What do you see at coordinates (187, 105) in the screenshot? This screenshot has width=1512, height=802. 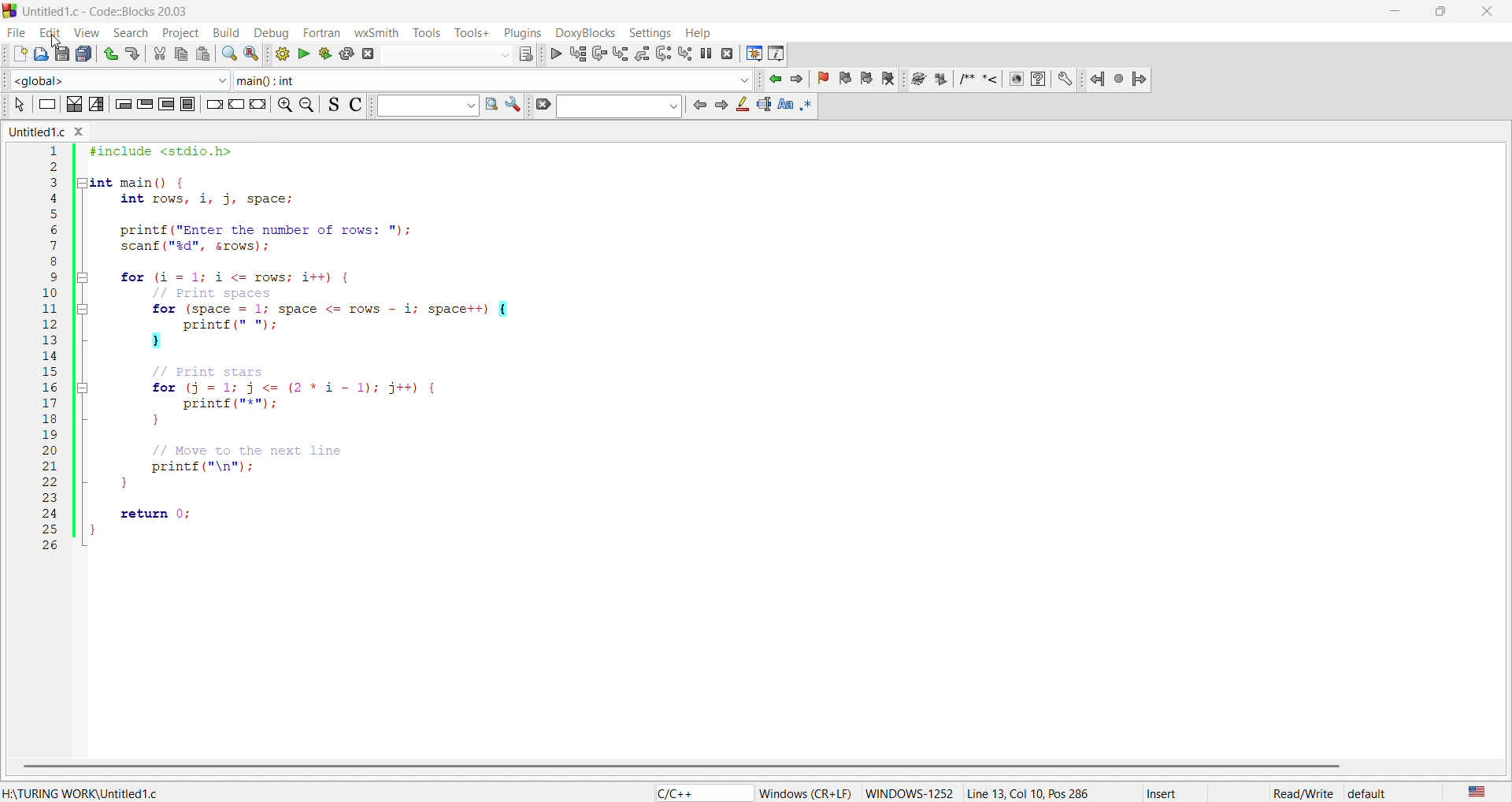 I see `block instruction` at bounding box center [187, 105].